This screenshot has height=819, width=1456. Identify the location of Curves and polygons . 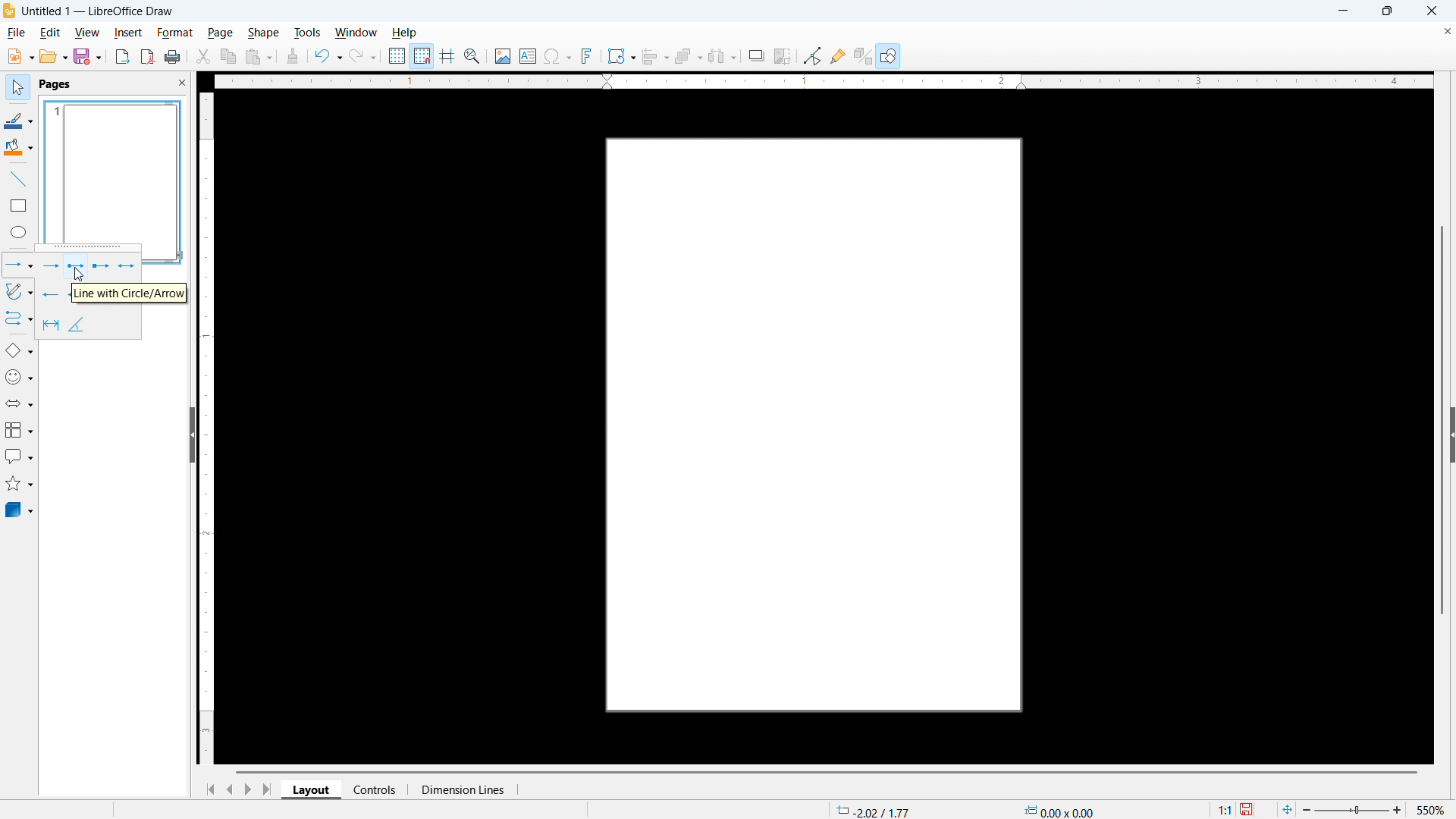
(19, 292).